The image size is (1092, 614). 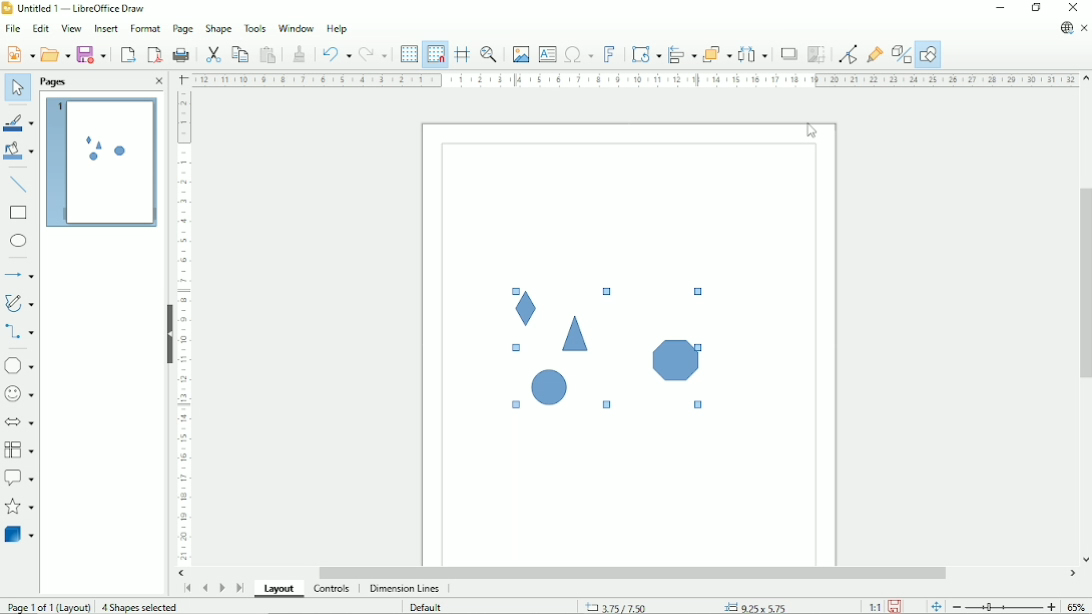 I want to click on New, so click(x=20, y=53).